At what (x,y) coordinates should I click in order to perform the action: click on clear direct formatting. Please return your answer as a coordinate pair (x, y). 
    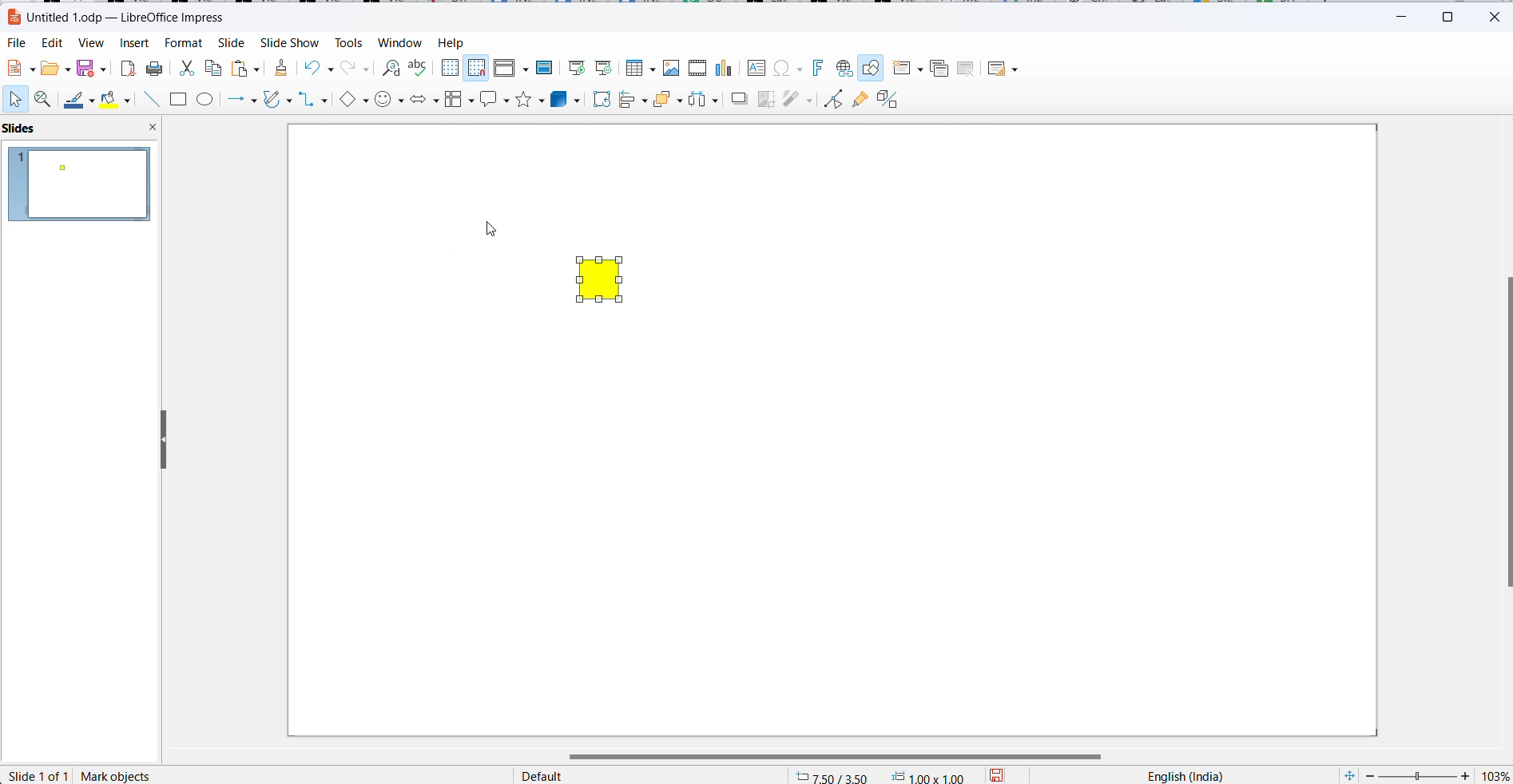
    Looking at the image, I should click on (280, 68).